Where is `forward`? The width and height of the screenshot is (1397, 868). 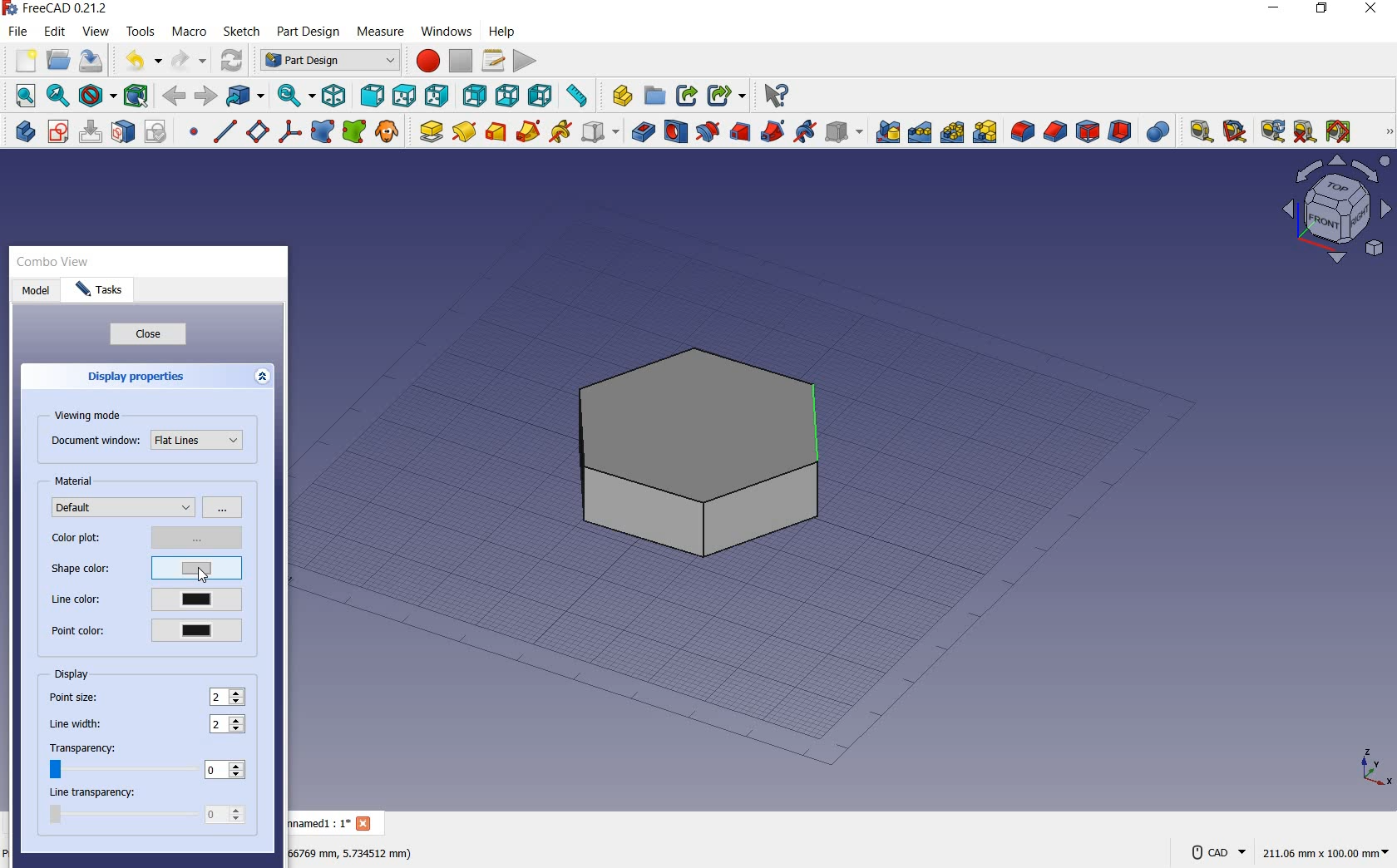
forward is located at coordinates (206, 96).